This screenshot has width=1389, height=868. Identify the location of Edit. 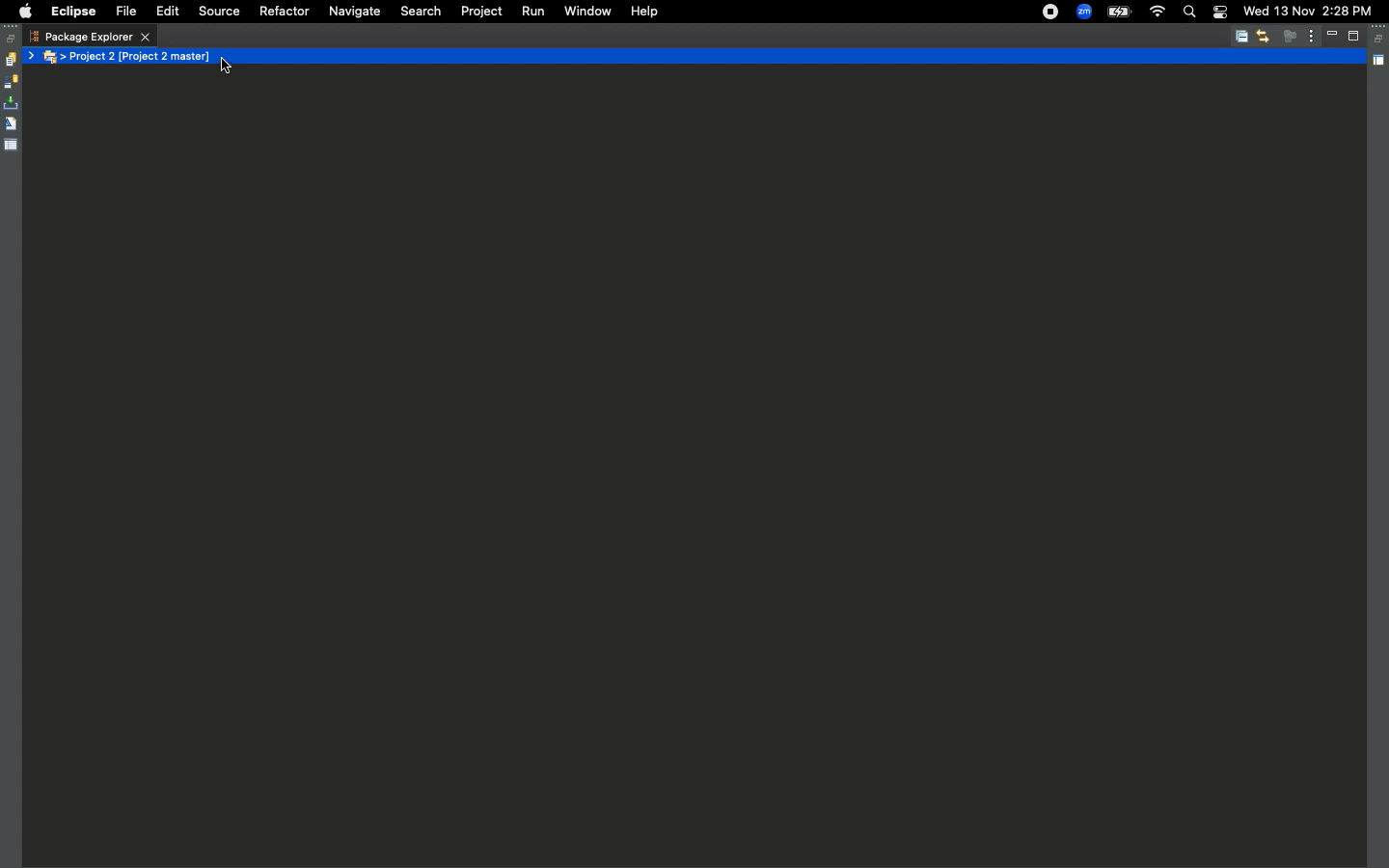
(167, 13).